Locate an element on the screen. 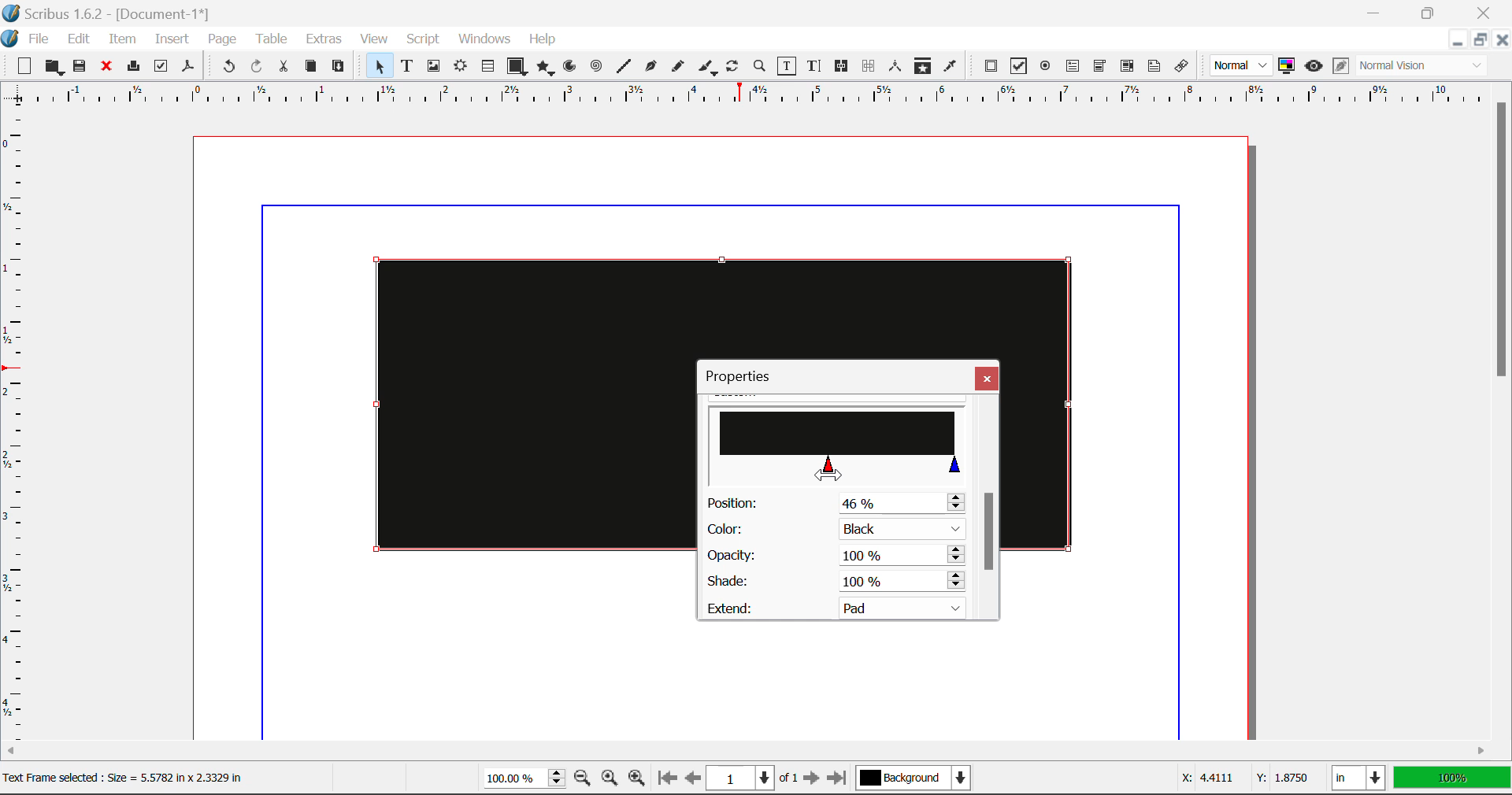 The width and height of the screenshot is (1512, 795). Select is located at coordinates (378, 66).